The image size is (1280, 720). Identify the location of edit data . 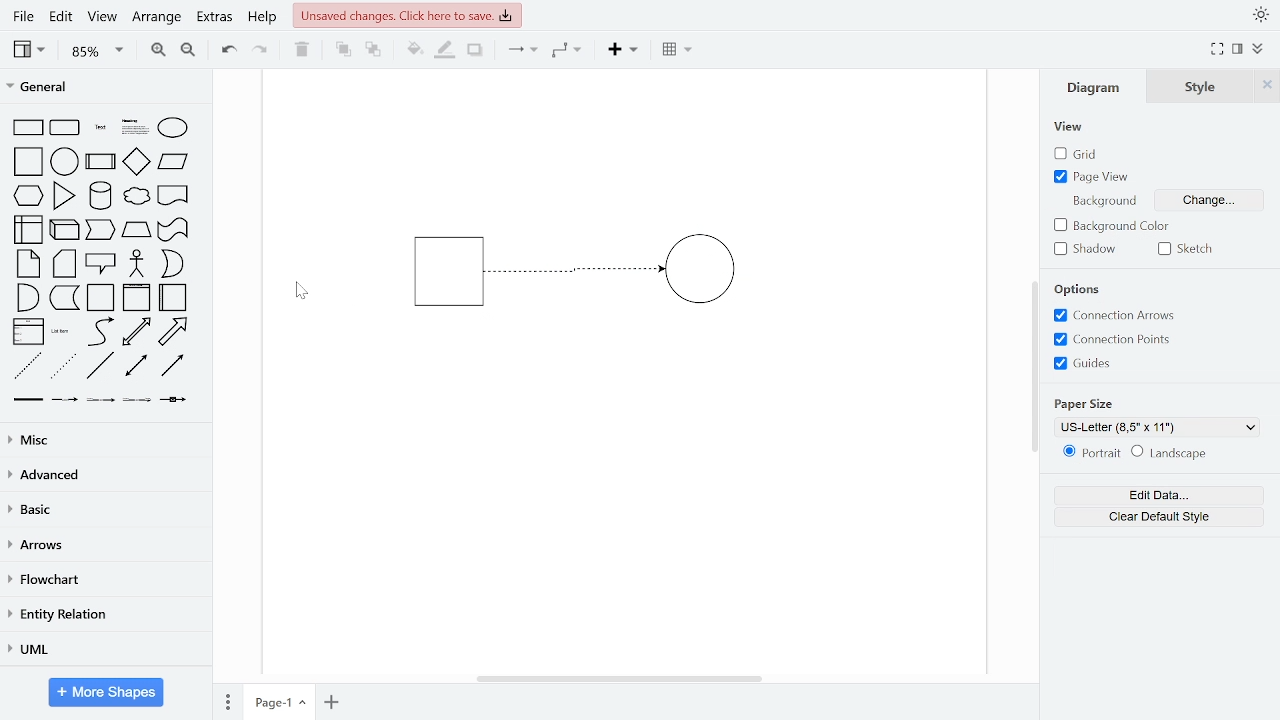
(1169, 495).